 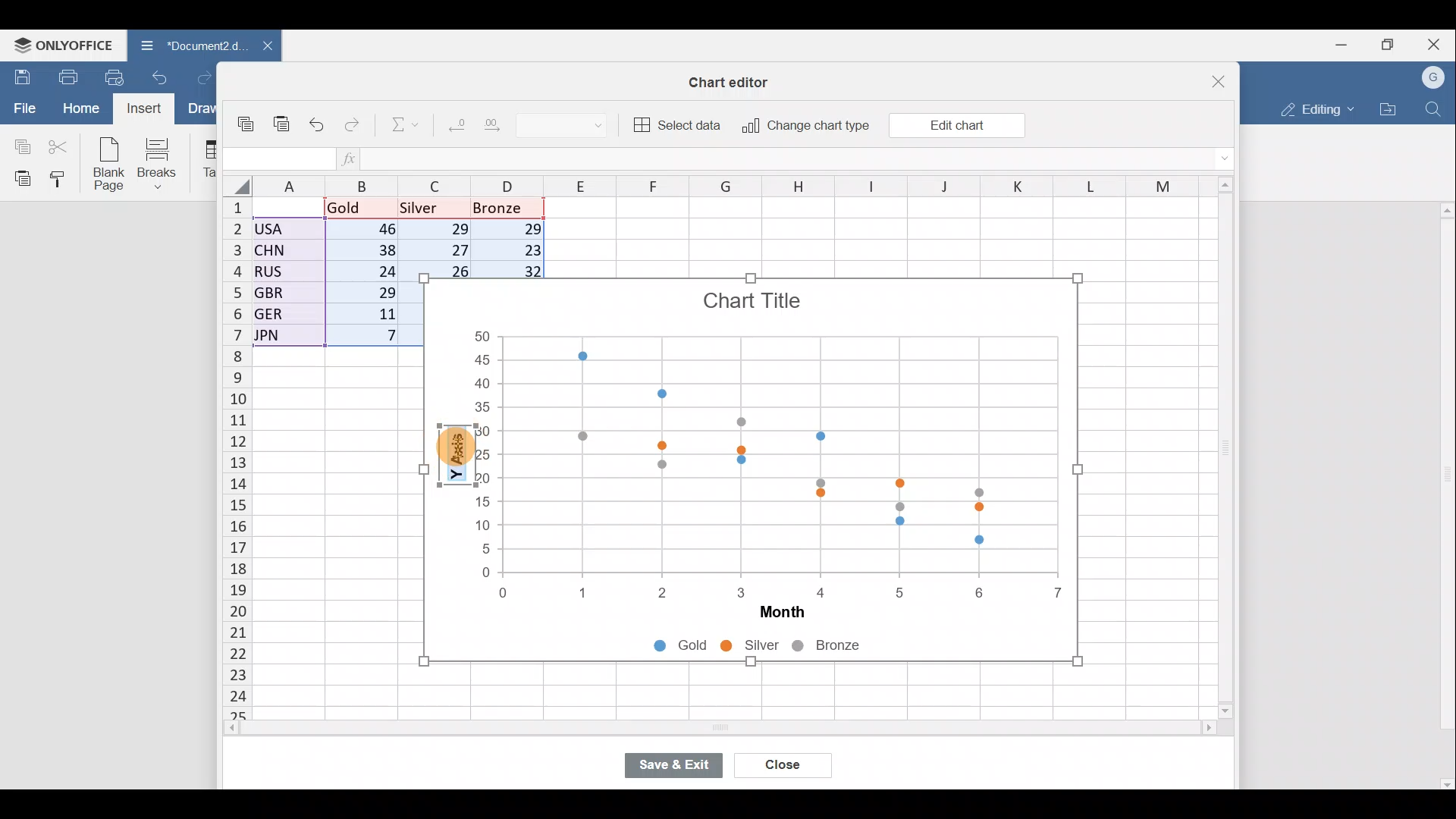 What do you see at coordinates (160, 76) in the screenshot?
I see `Undo` at bounding box center [160, 76].